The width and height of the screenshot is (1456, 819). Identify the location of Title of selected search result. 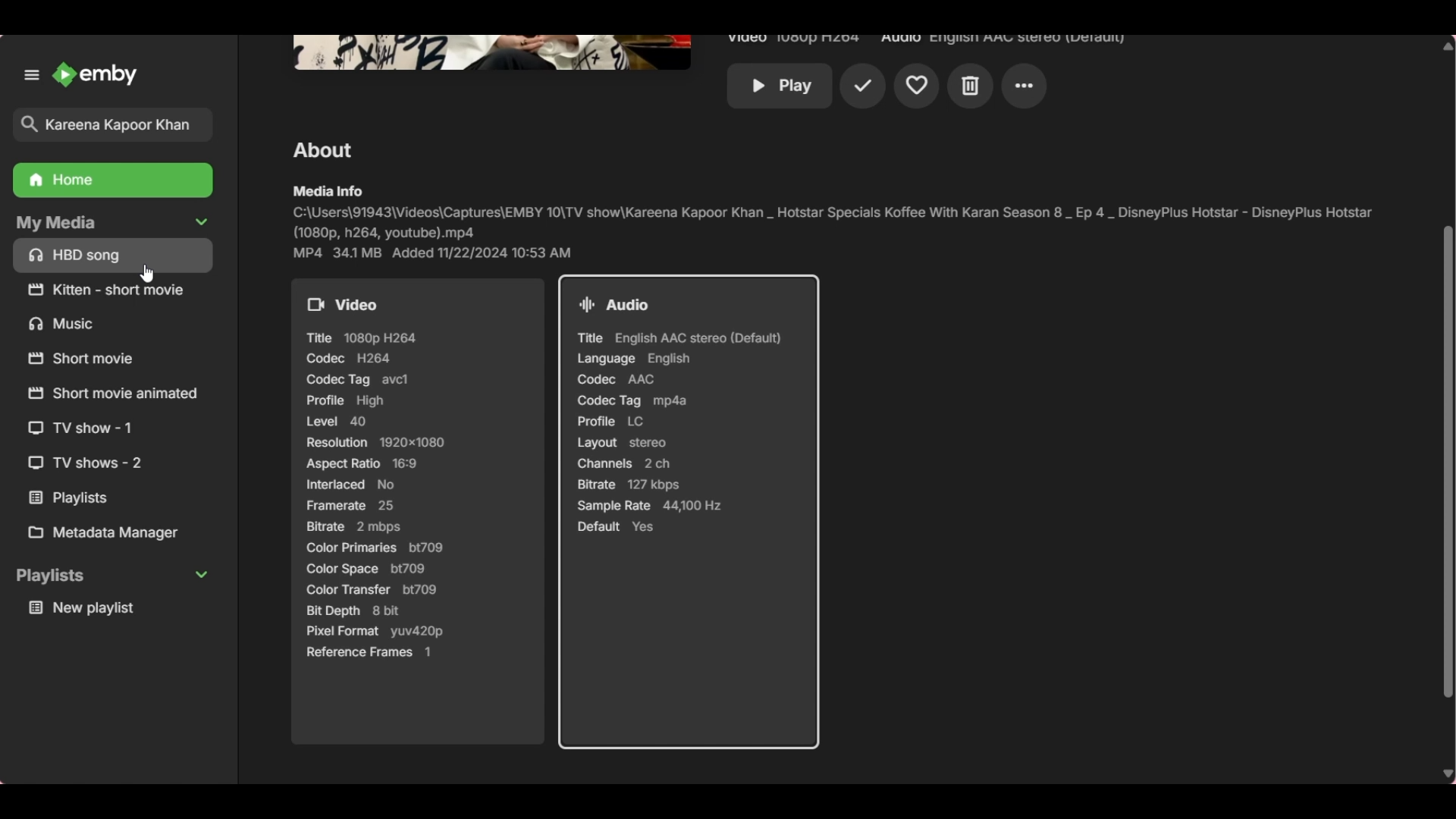
(118, 126).